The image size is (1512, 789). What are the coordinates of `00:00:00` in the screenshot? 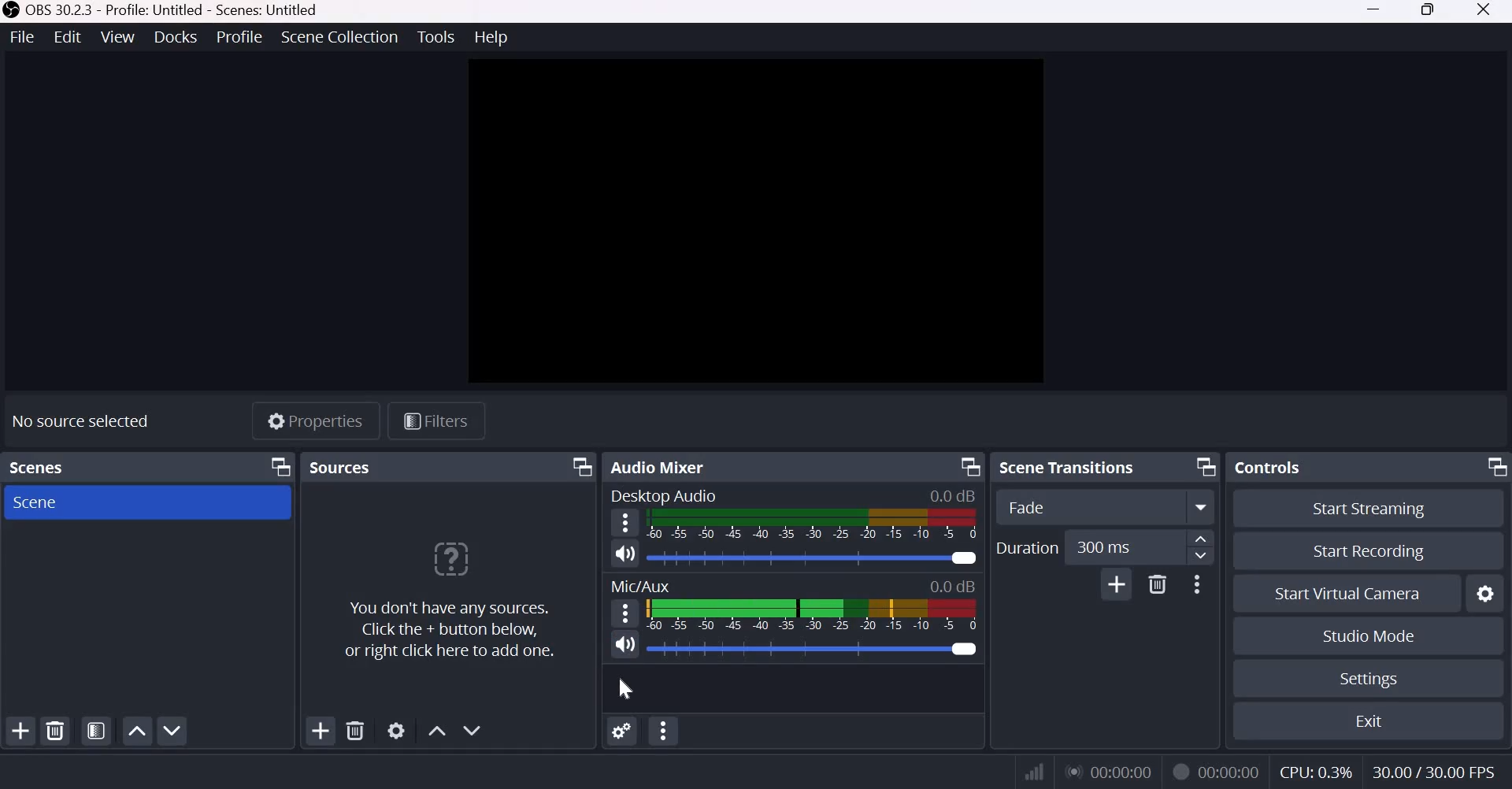 It's located at (1228, 772).